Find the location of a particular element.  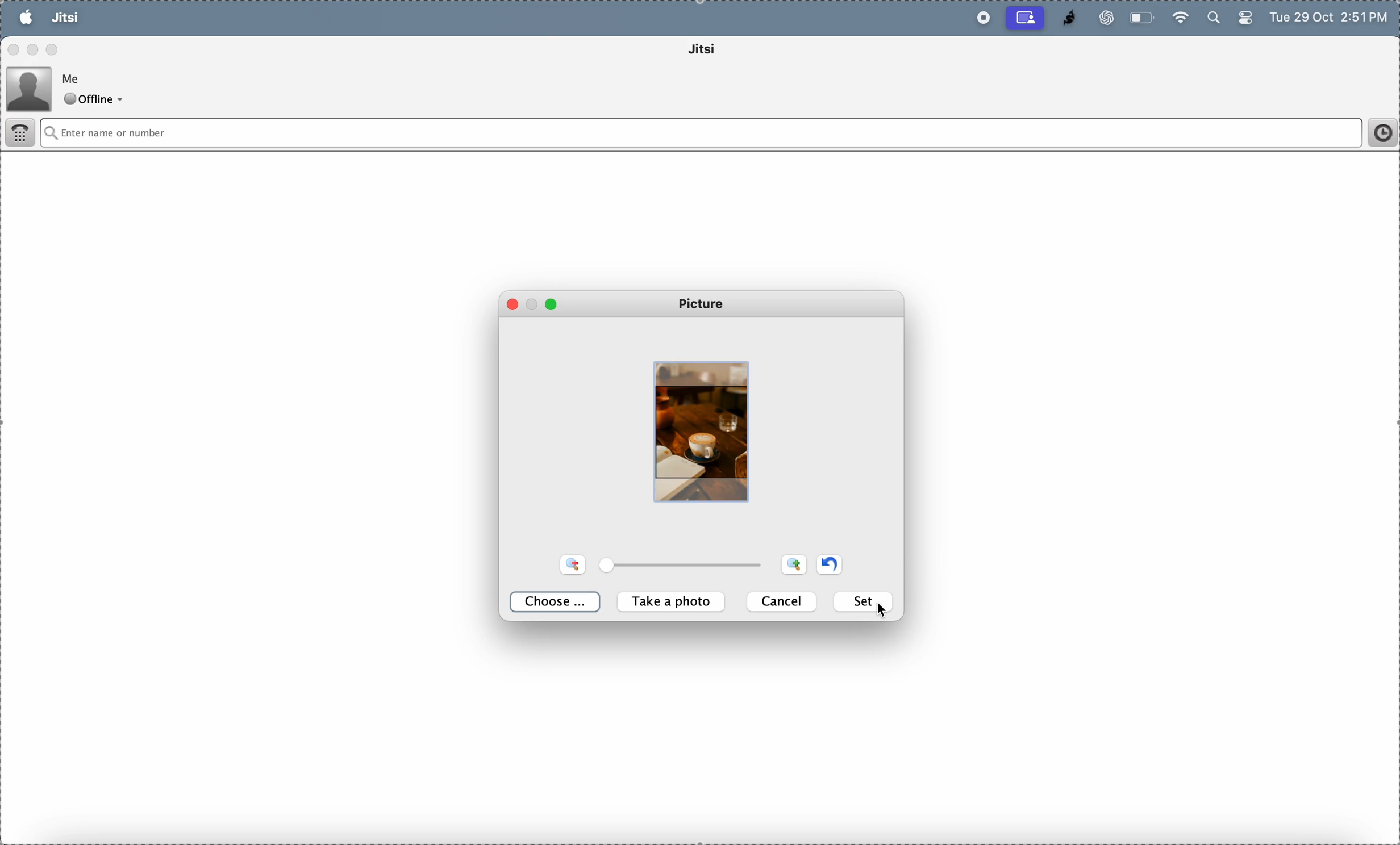

chatgpt is located at coordinates (1102, 18).